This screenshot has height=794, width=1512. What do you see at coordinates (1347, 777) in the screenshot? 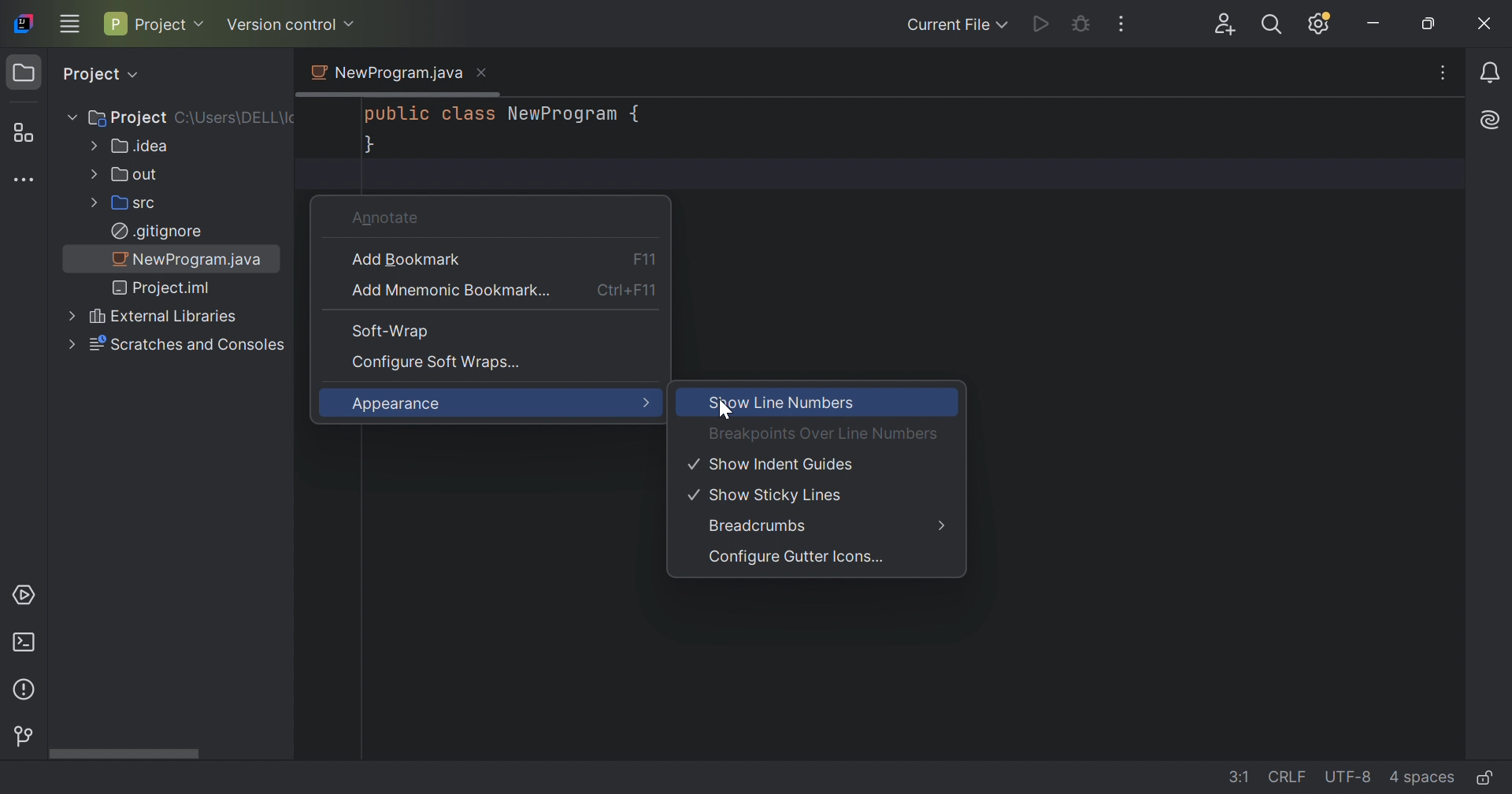
I see `UTF-8` at bounding box center [1347, 777].